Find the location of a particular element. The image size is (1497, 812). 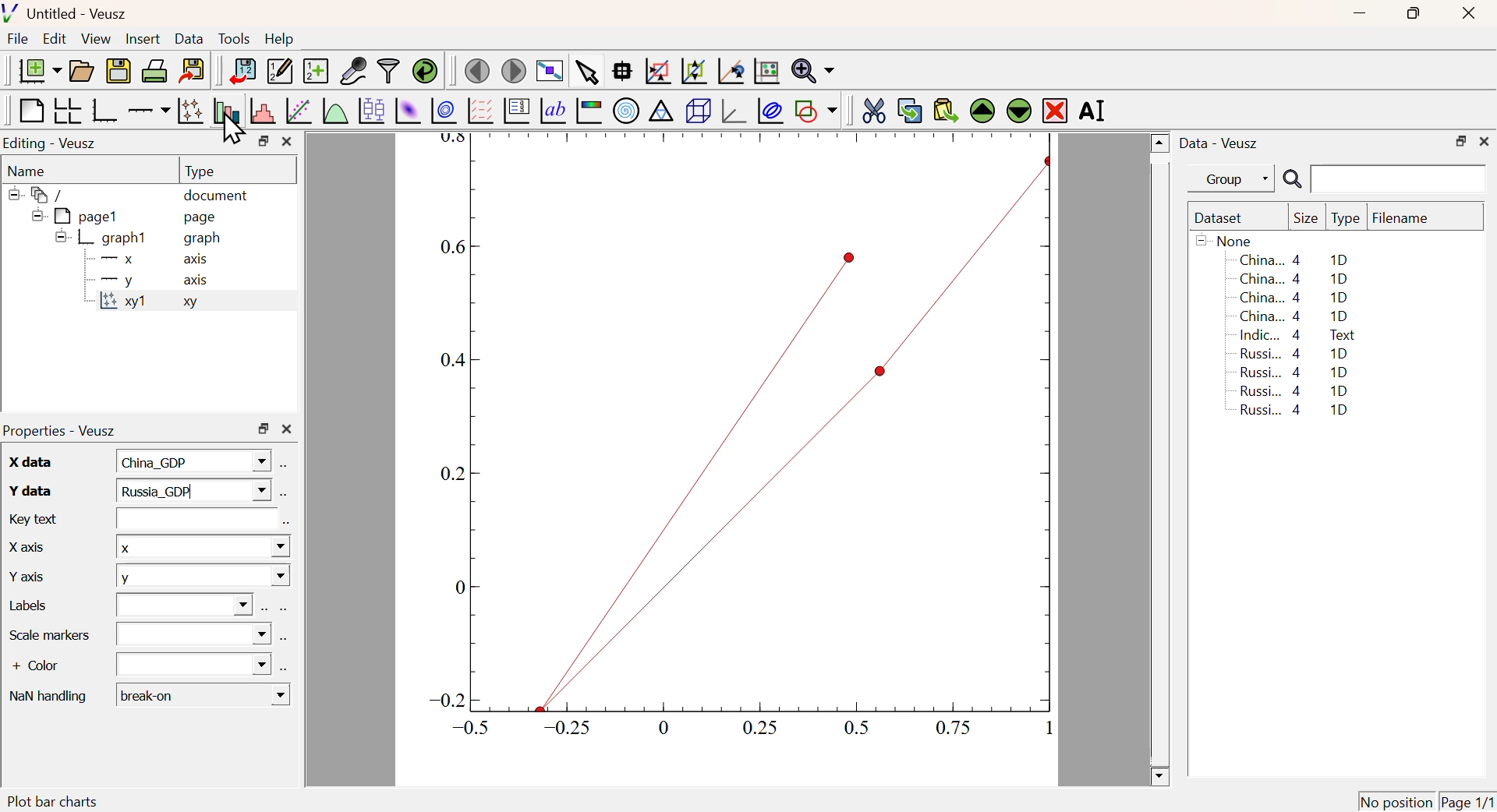

Close is located at coordinates (287, 142).